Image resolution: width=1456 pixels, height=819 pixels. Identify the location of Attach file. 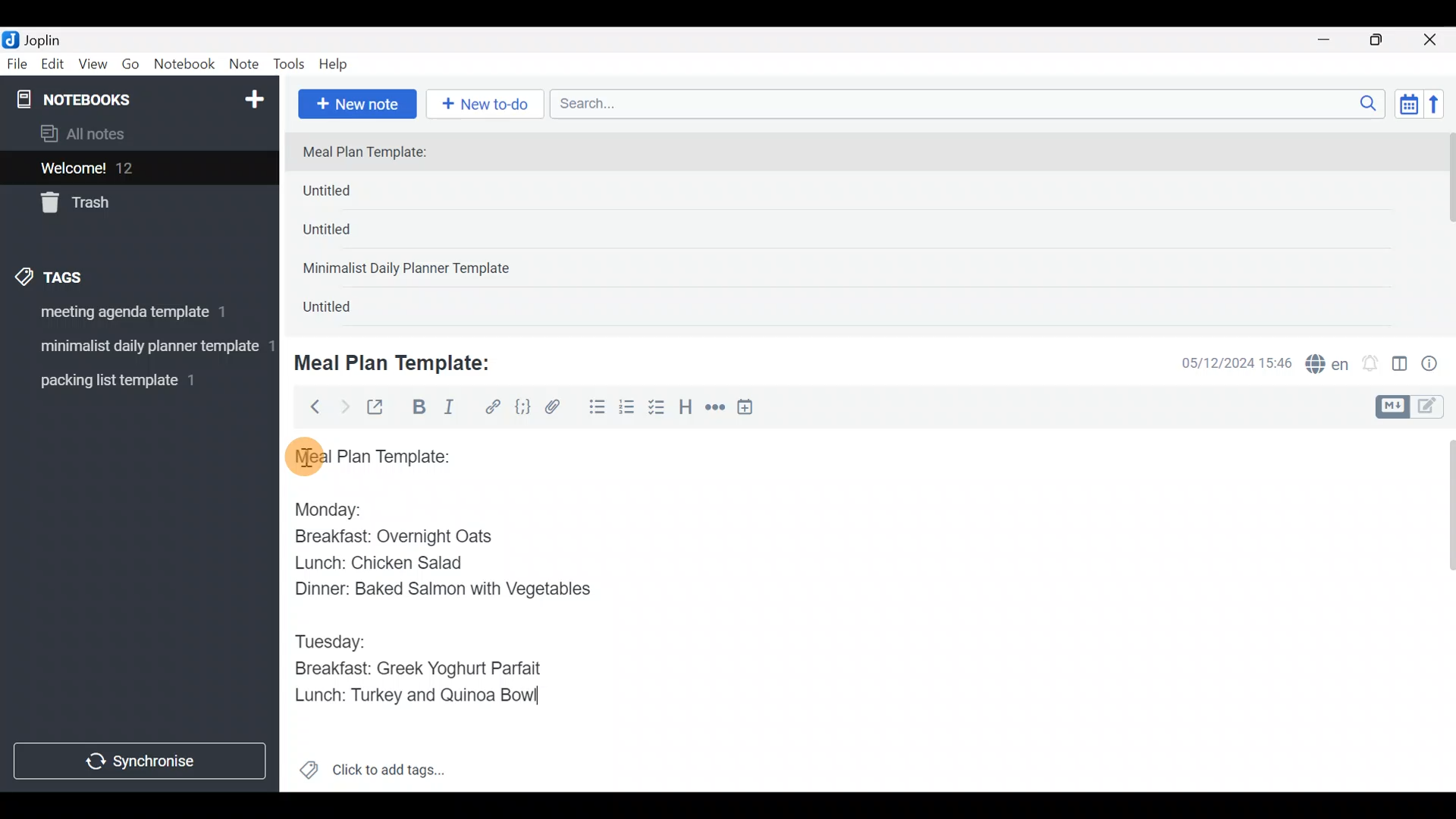
(557, 409).